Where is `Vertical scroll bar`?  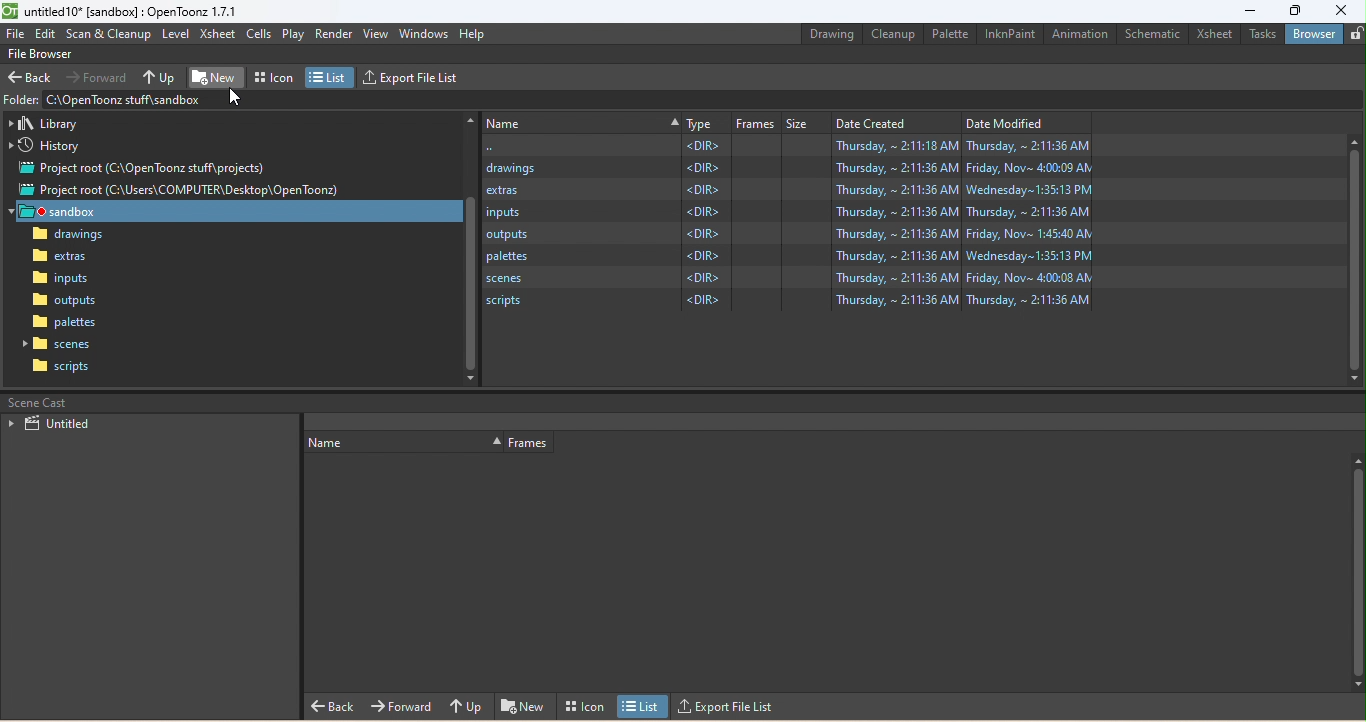 Vertical scroll bar is located at coordinates (471, 249).